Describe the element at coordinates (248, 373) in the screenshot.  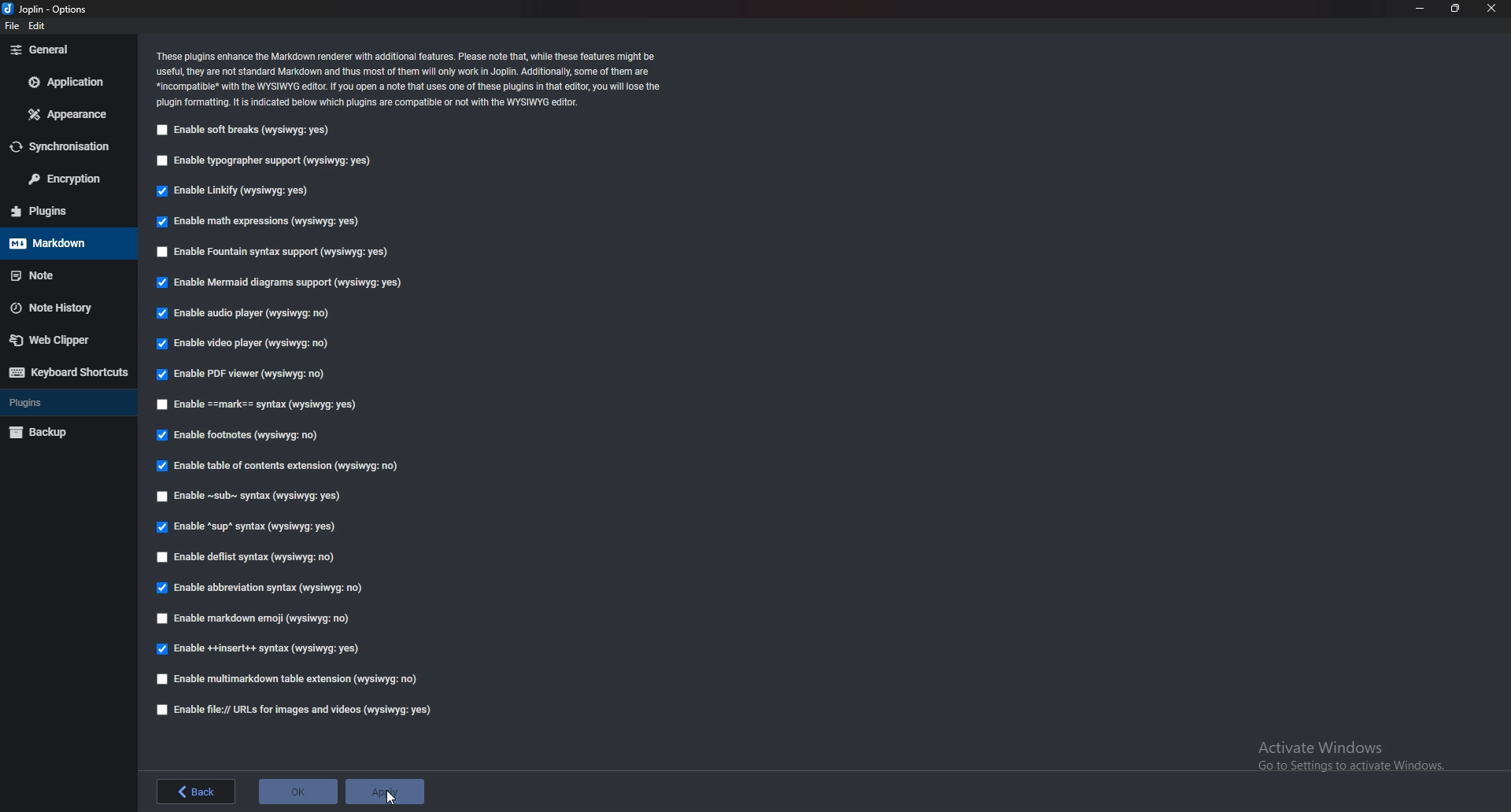
I see `Enable PDF viewer` at that location.